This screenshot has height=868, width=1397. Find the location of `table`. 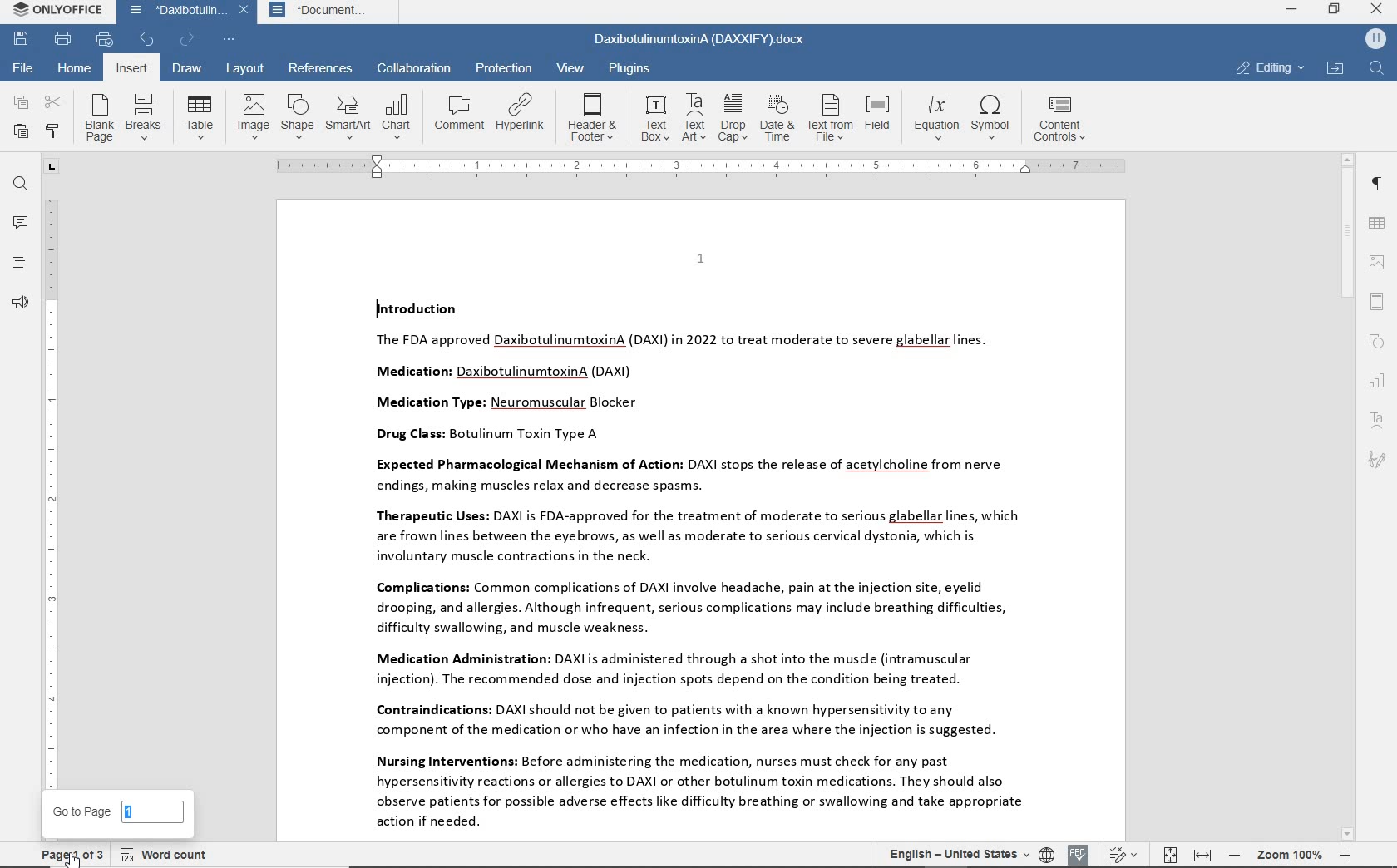

table is located at coordinates (199, 117).